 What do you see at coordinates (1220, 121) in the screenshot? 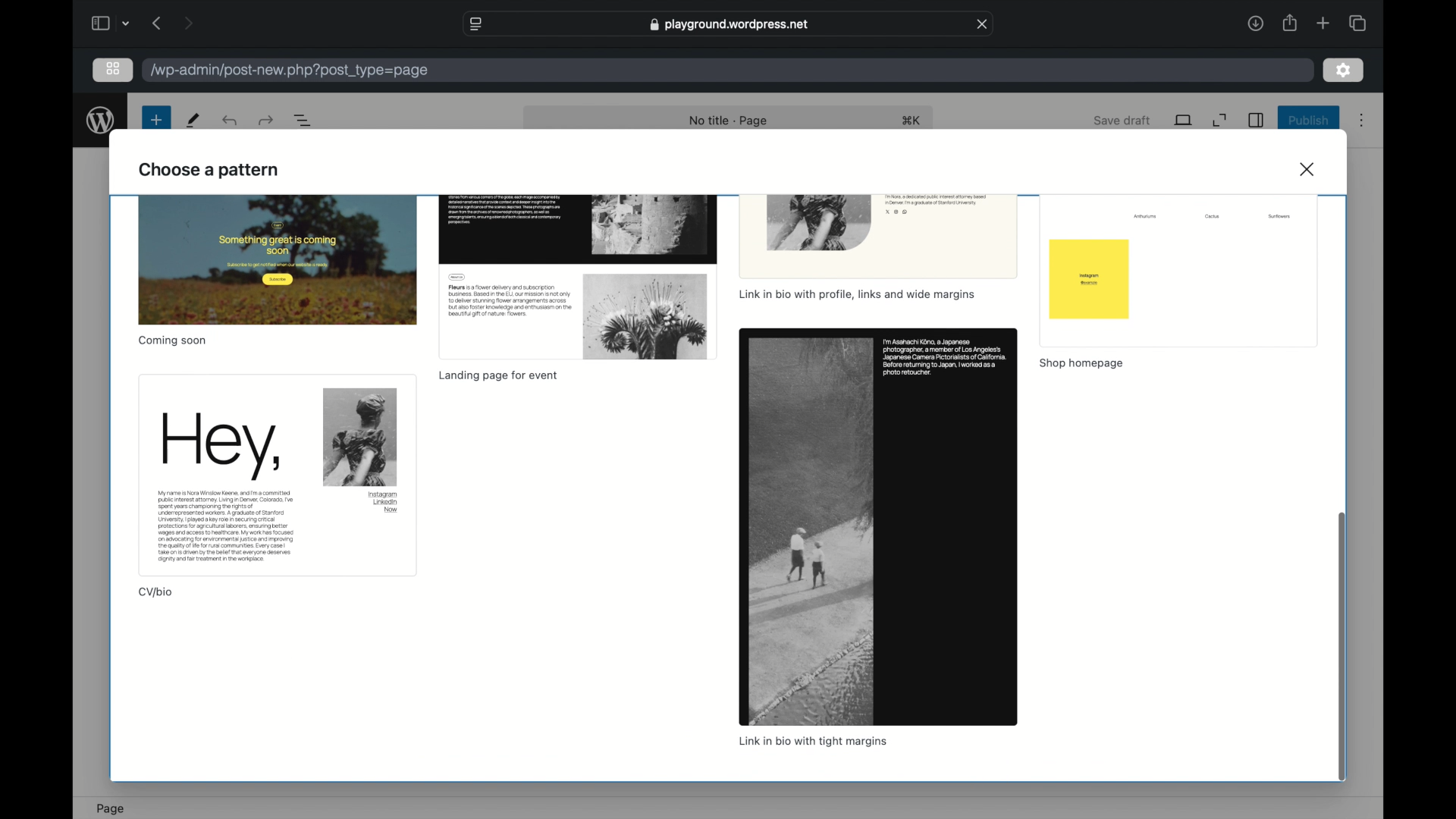
I see `expand` at bounding box center [1220, 121].